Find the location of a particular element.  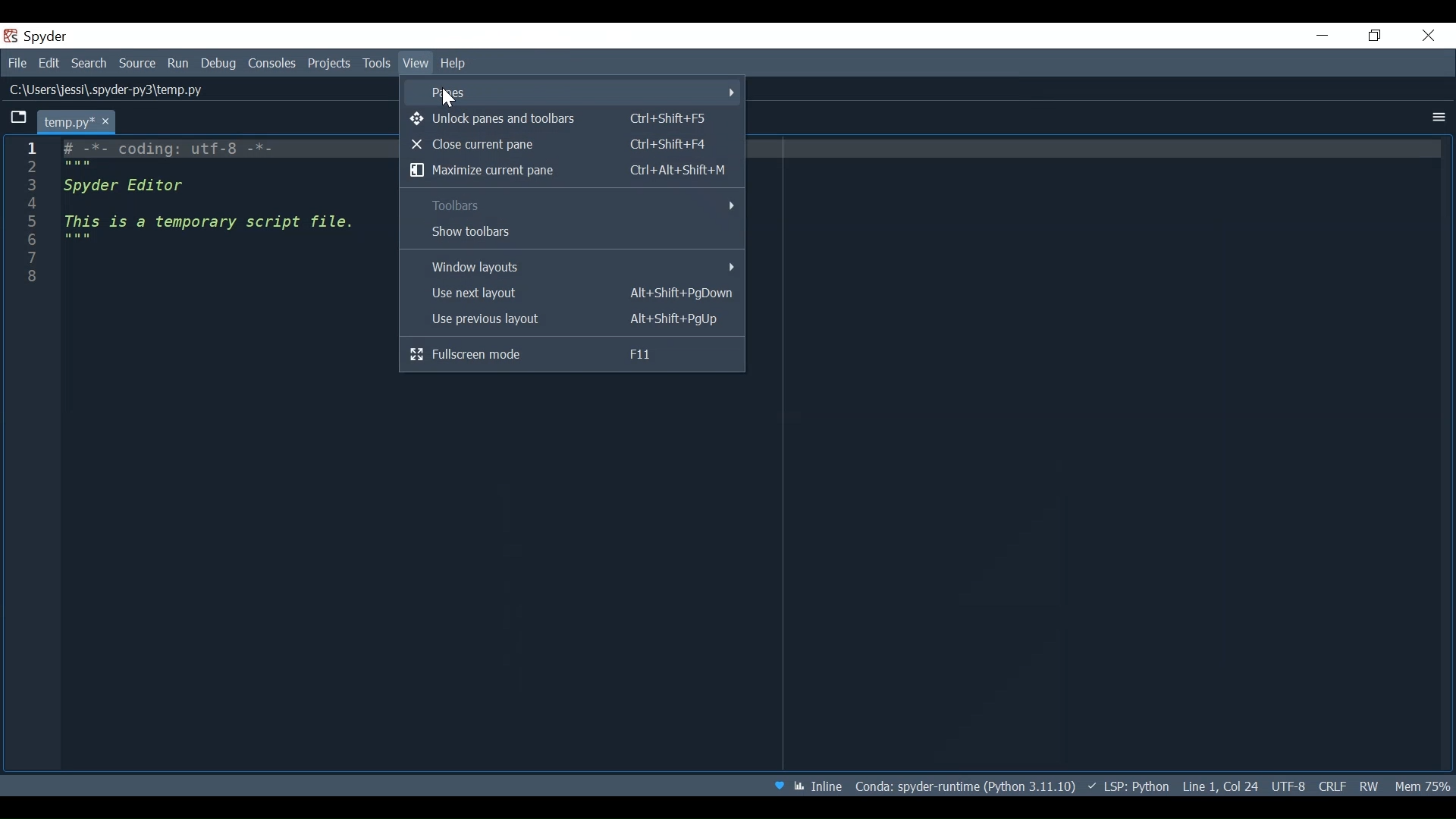

Fullscreen mode is located at coordinates (574, 353).